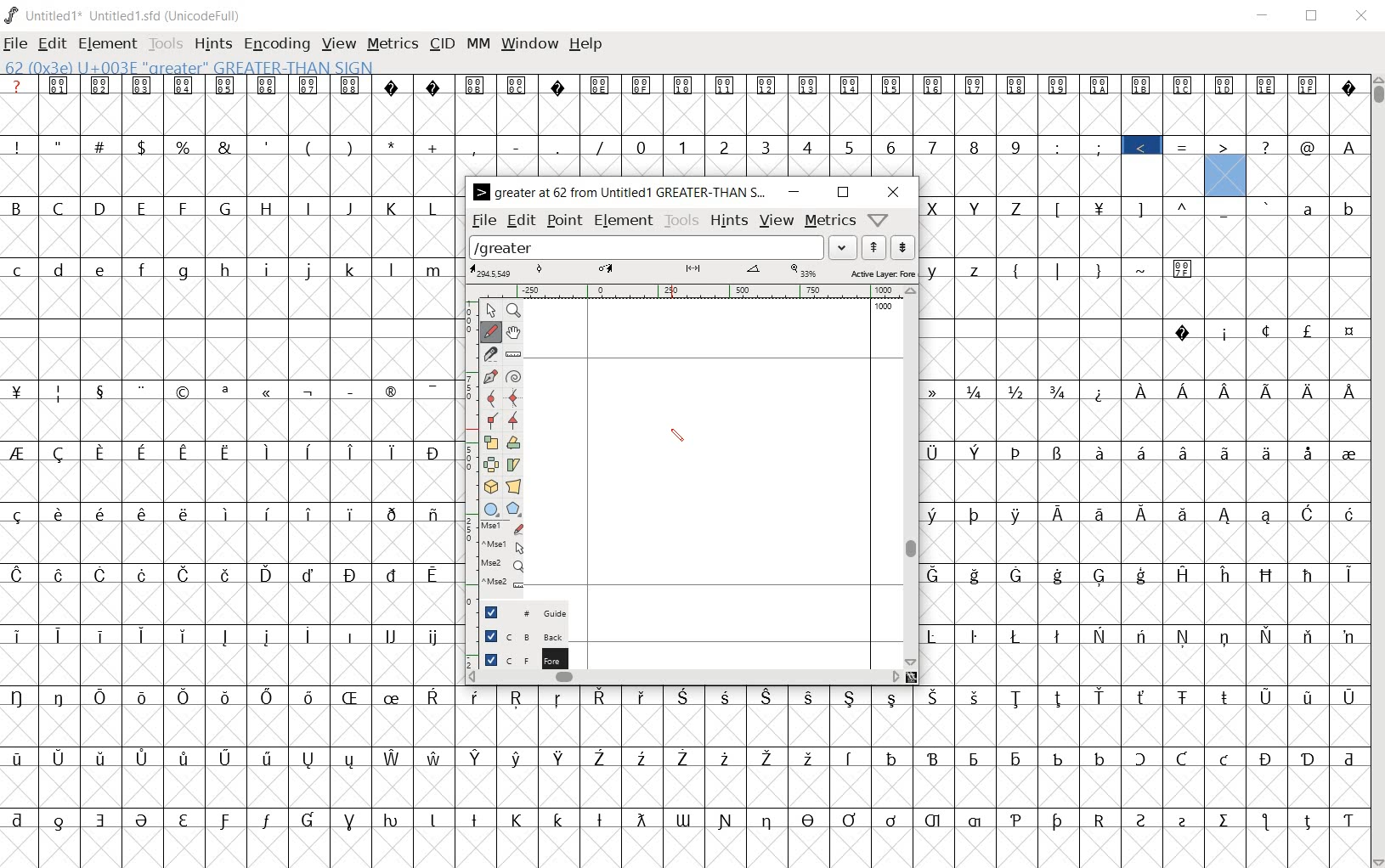 The image size is (1385, 868). What do you see at coordinates (489, 353) in the screenshot?
I see `cut splines in two` at bounding box center [489, 353].